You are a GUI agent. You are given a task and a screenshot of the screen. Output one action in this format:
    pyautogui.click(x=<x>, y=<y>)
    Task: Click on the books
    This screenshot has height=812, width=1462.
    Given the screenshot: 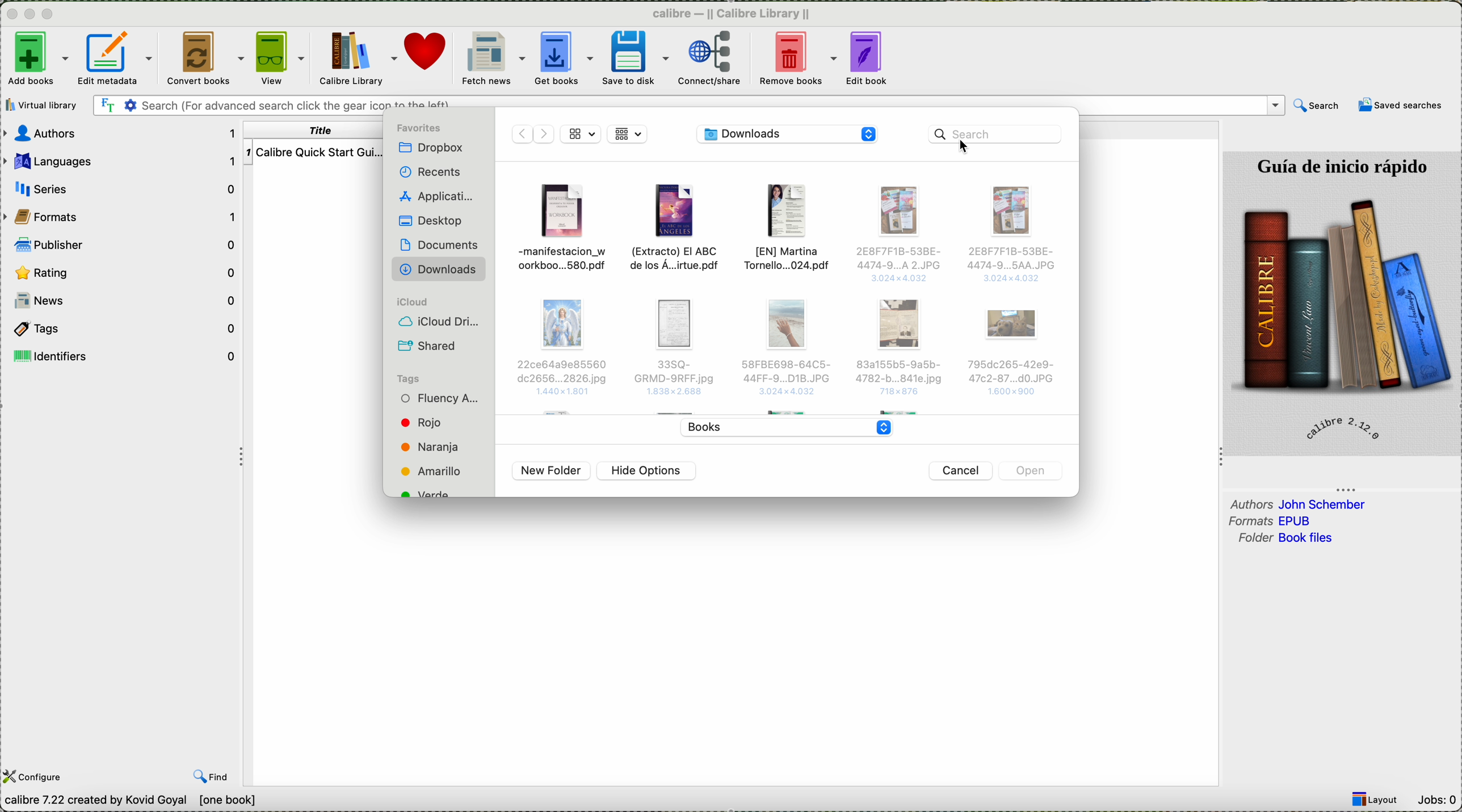 What is the action you would take?
    pyautogui.click(x=782, y=426)
    